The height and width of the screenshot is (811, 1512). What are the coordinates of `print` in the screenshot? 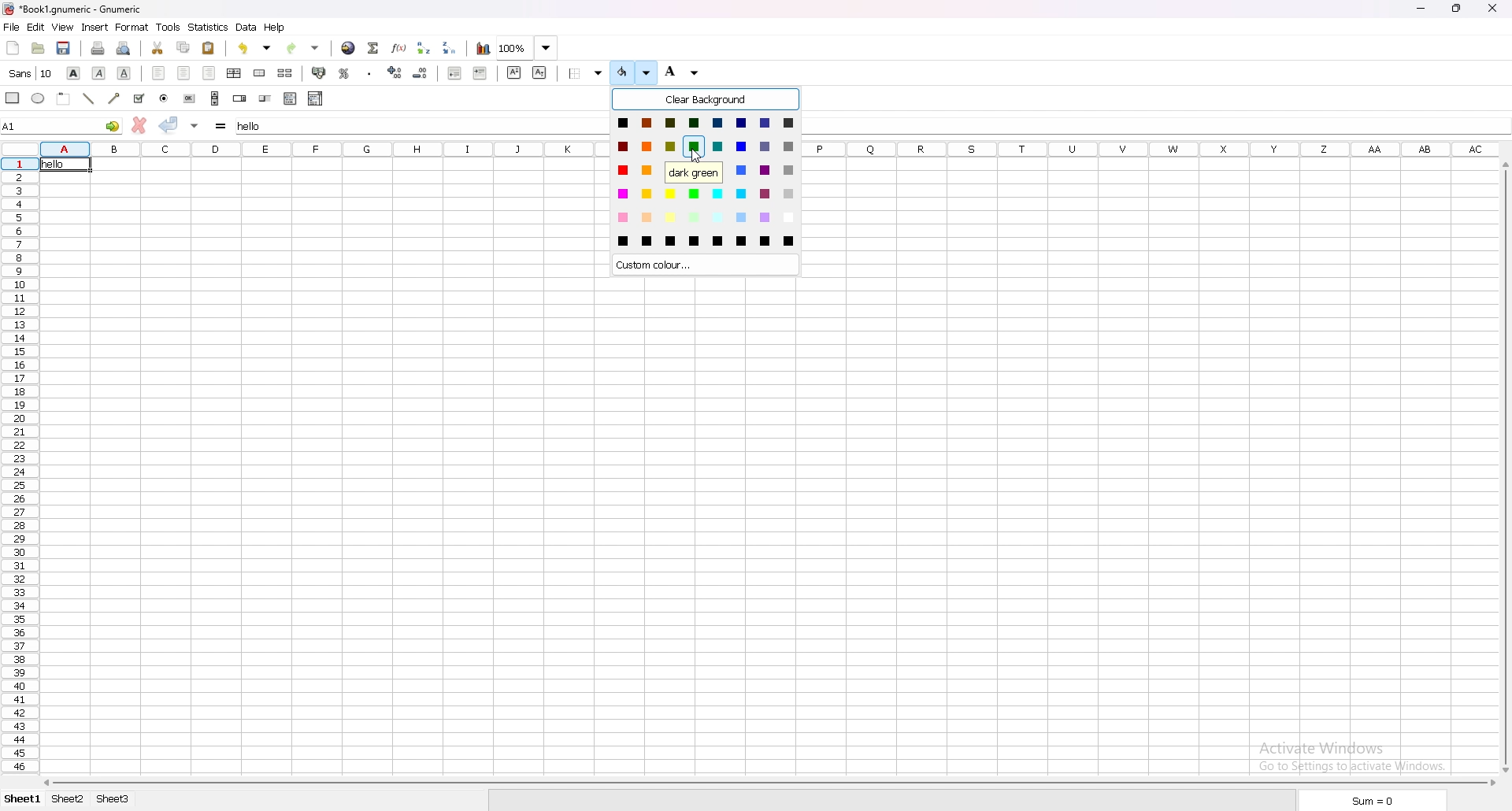 It's located at (98, 48).